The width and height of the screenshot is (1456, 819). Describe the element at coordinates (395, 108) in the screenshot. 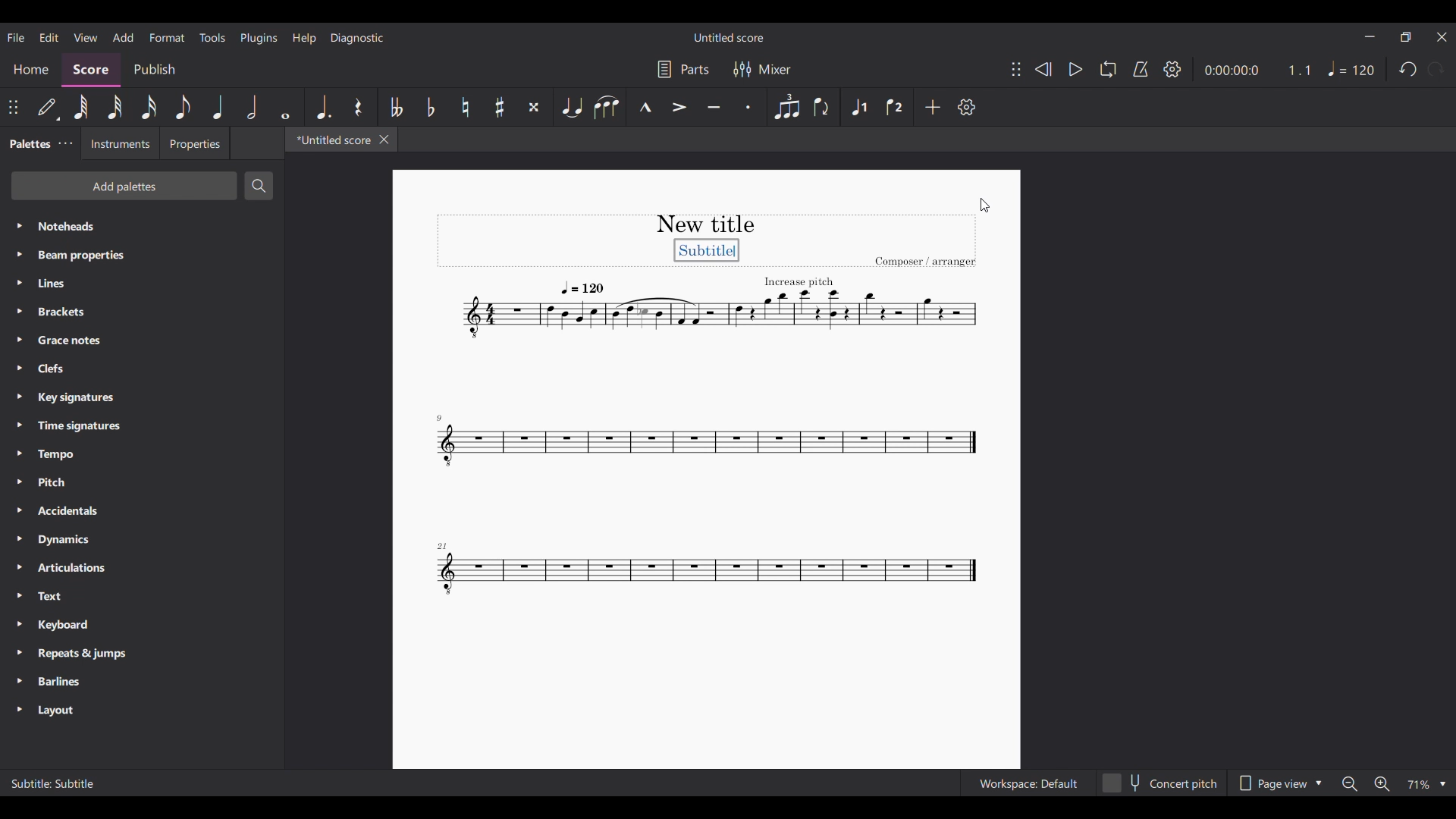

I see `Toggle double flat` at that location.